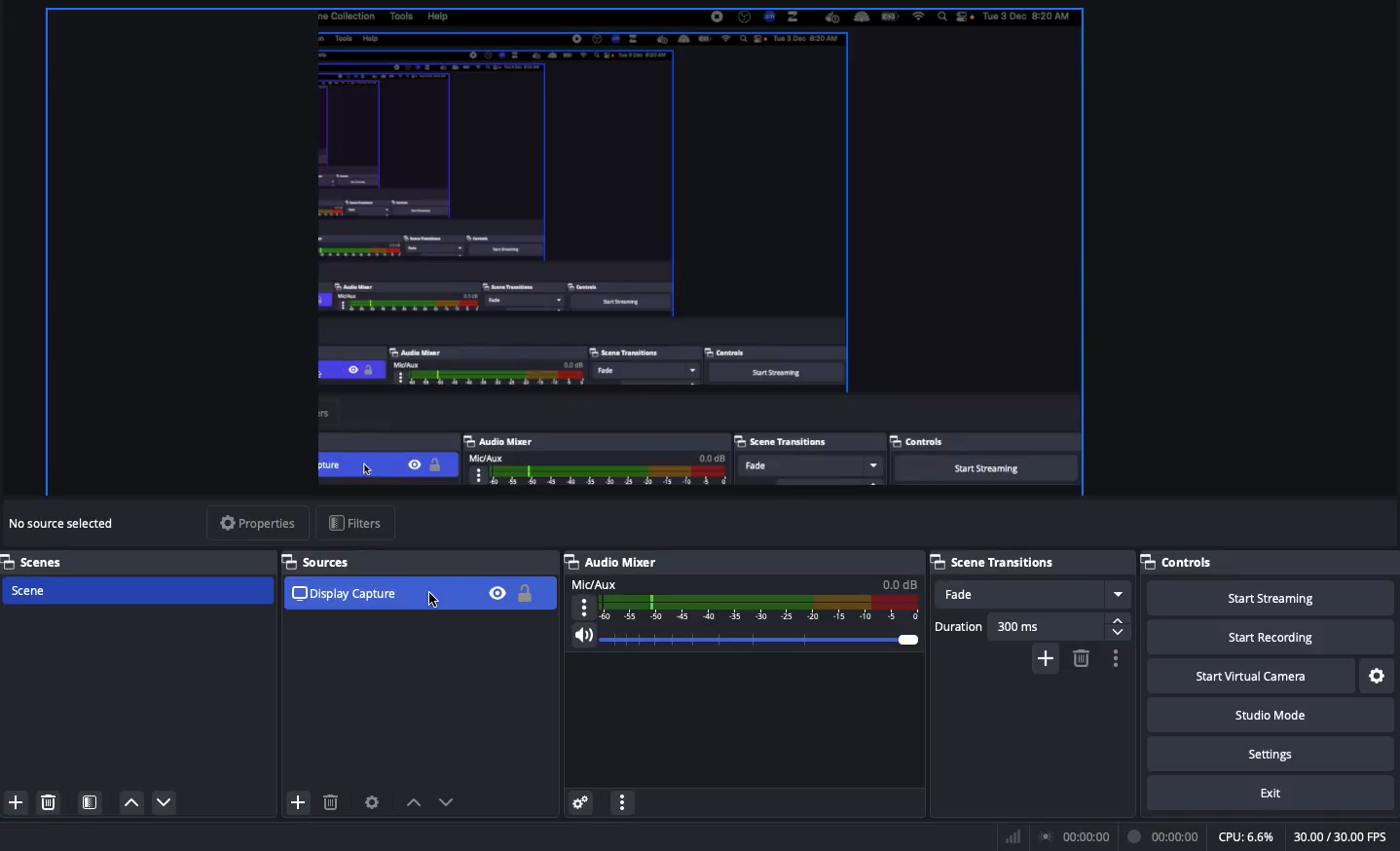 The height and width of the screenshot is (851, 1400). I want to click on Mic/Aux, so click(748, 599).